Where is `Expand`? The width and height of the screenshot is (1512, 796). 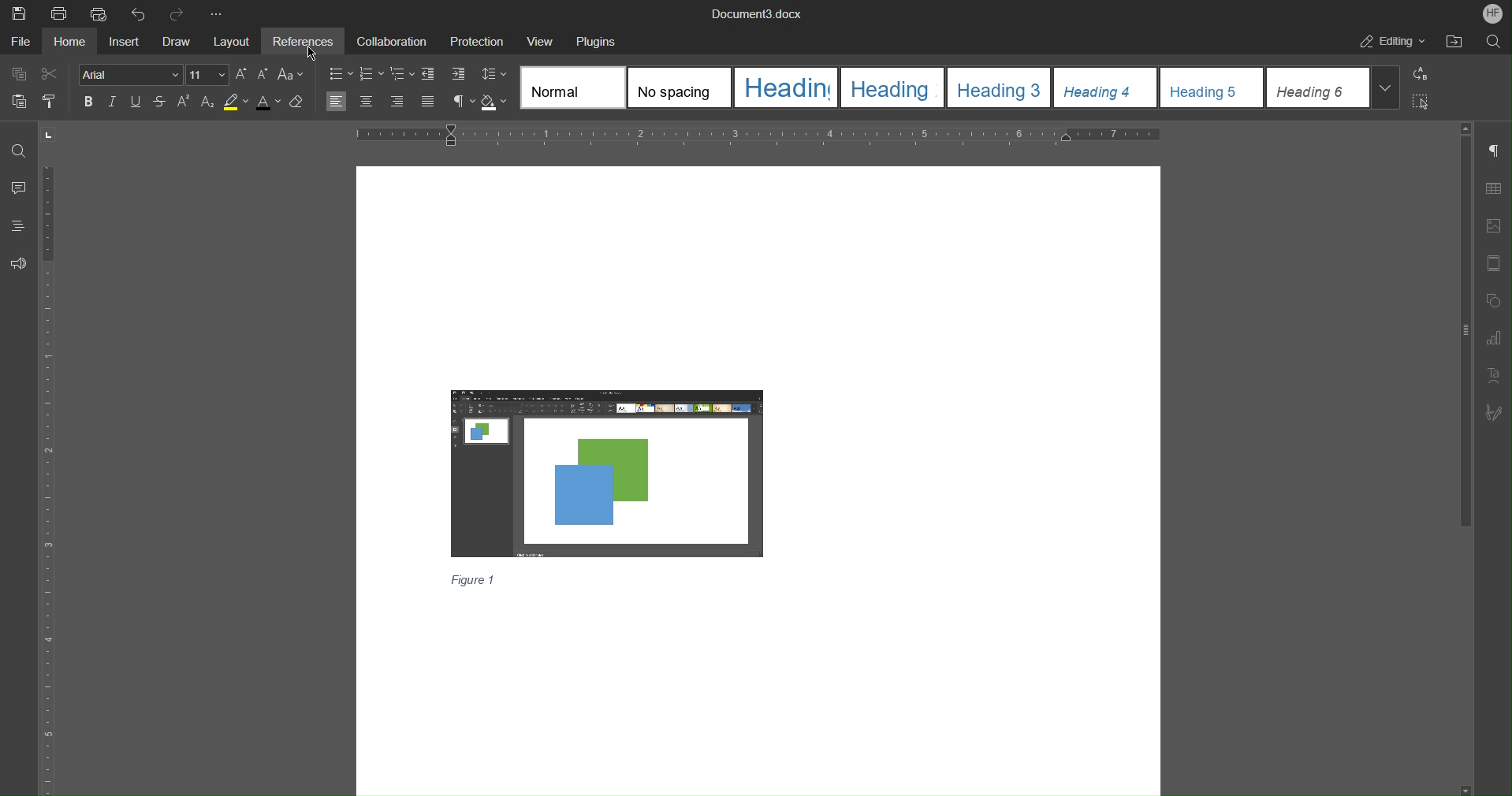 Expand is located at coordinates (1385, 87).